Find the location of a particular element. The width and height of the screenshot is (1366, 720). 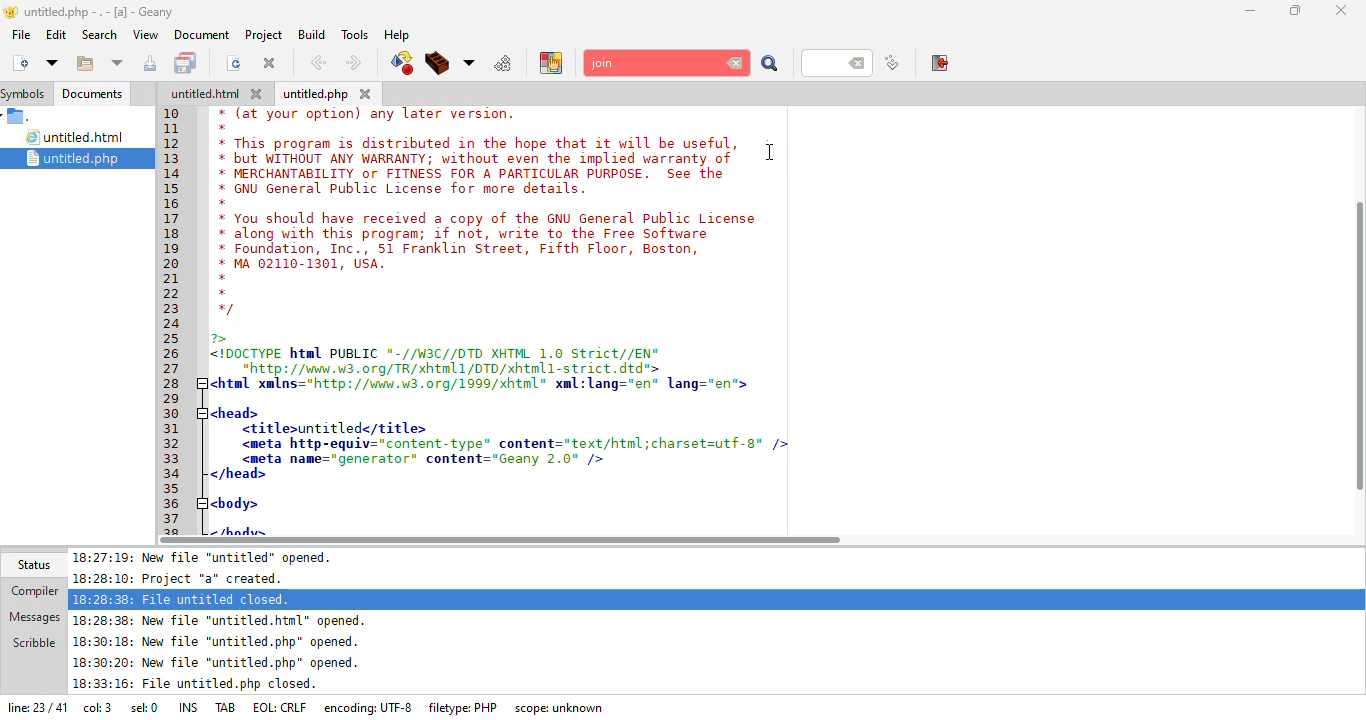

untitled.html is located at coordinates (78, 138).